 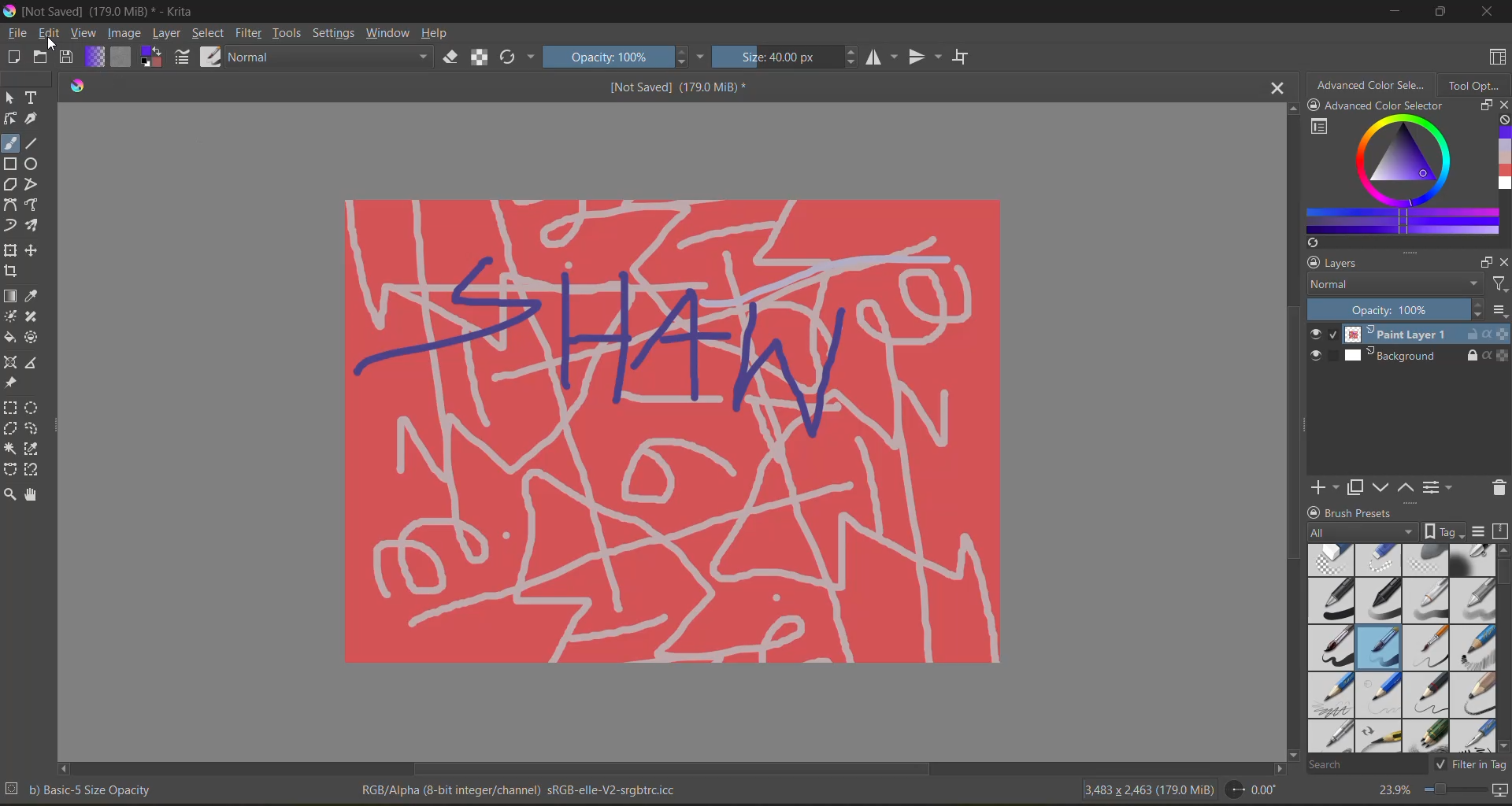 What do you see at coordinates (9, 142) in the screenshot?
I see `freehand brush` at bounding box center [9, 142].